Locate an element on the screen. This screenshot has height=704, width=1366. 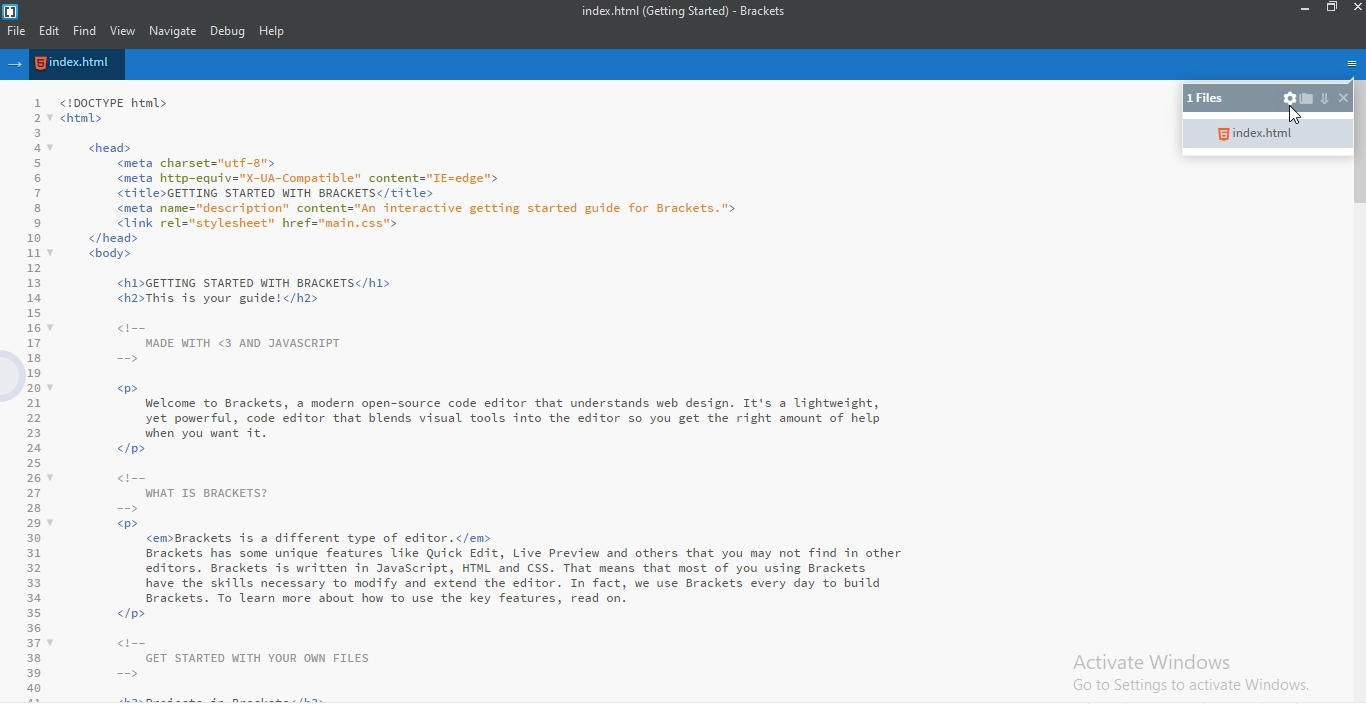
open folder is located at coordinates (1308, 98).